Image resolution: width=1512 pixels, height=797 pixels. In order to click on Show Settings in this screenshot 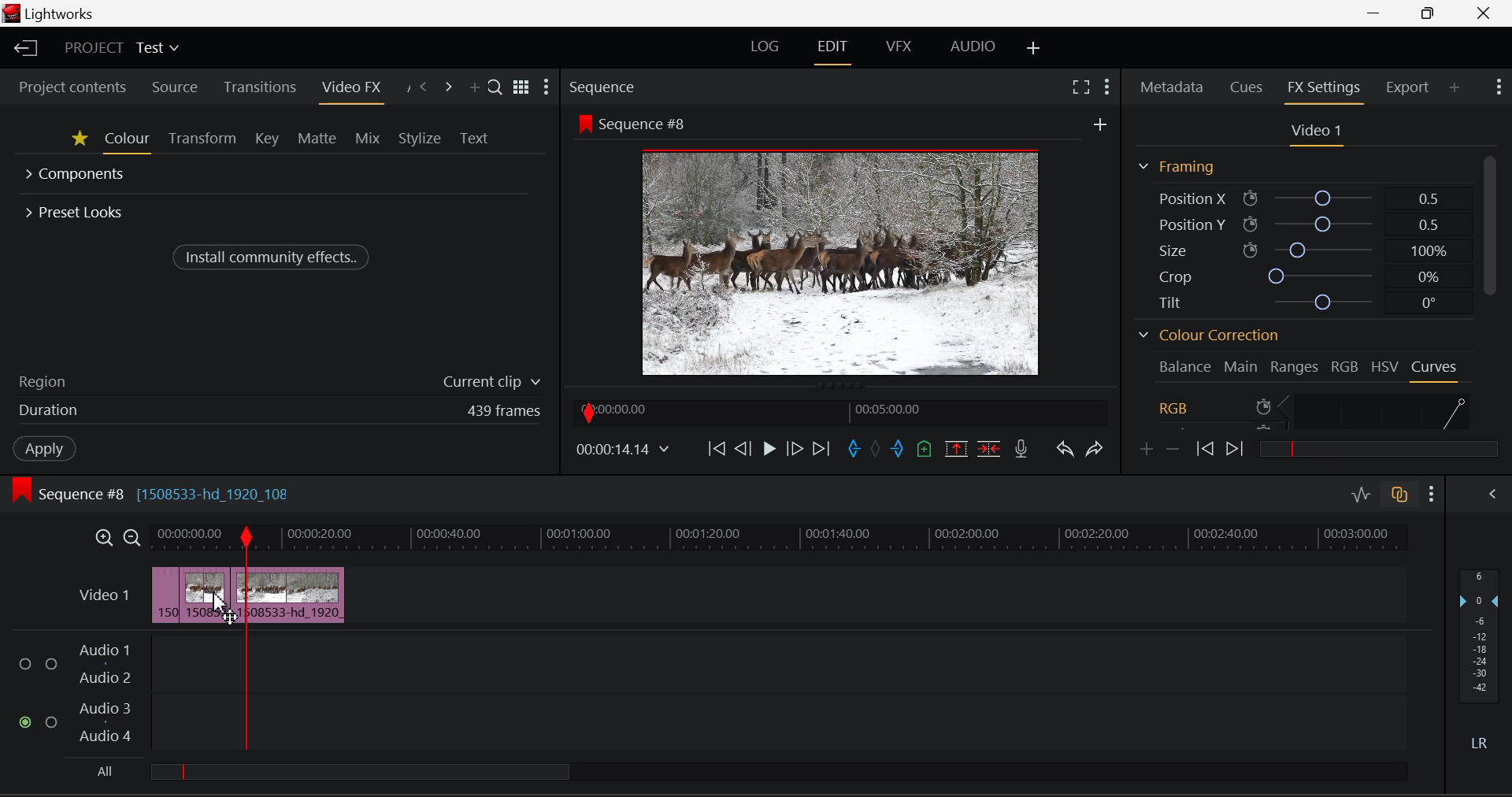, I will do `click(1110, 86)`.